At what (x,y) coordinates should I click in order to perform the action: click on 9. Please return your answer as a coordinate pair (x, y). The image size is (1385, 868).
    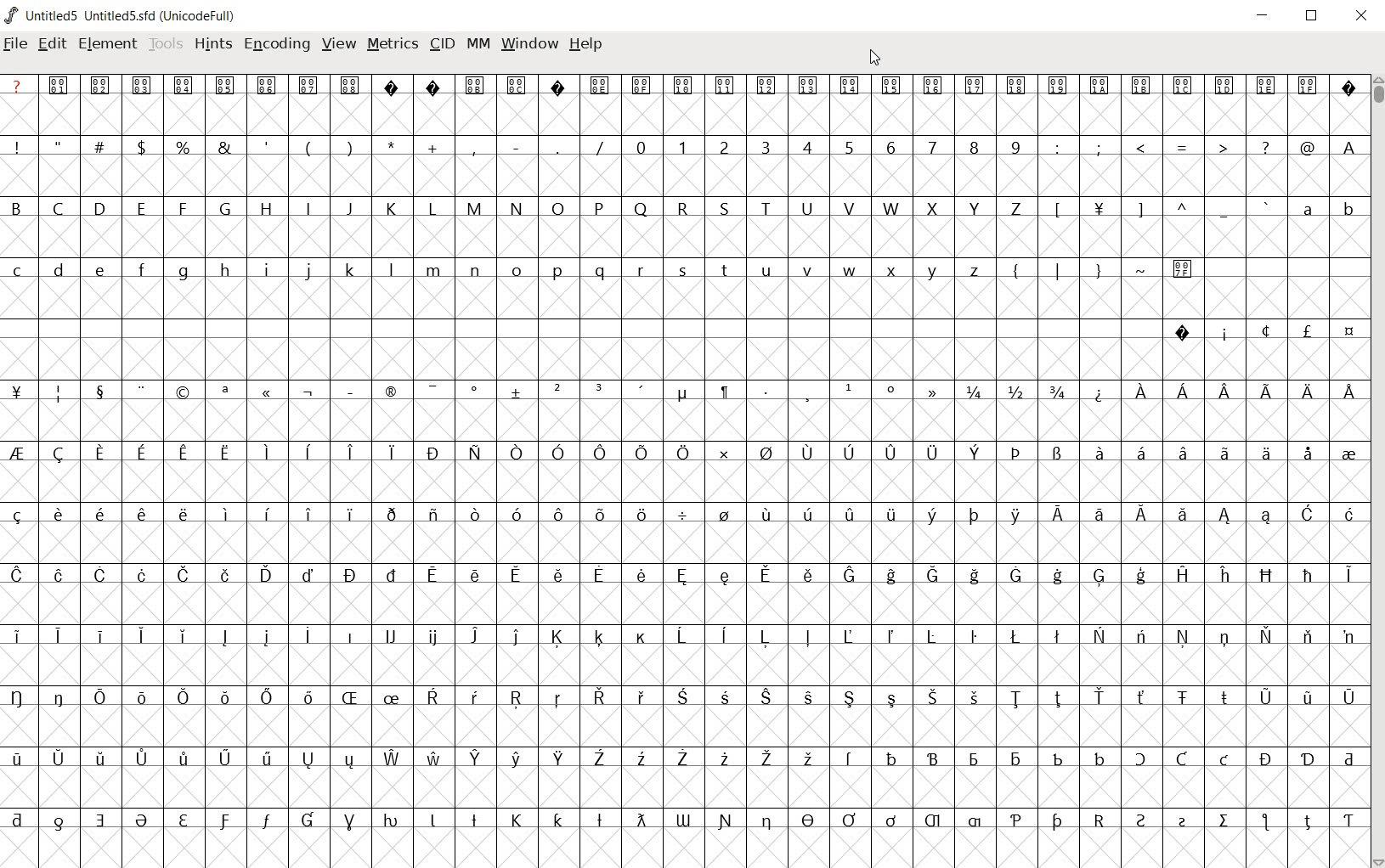
    Looking at the image, I should click on (1015, 146).